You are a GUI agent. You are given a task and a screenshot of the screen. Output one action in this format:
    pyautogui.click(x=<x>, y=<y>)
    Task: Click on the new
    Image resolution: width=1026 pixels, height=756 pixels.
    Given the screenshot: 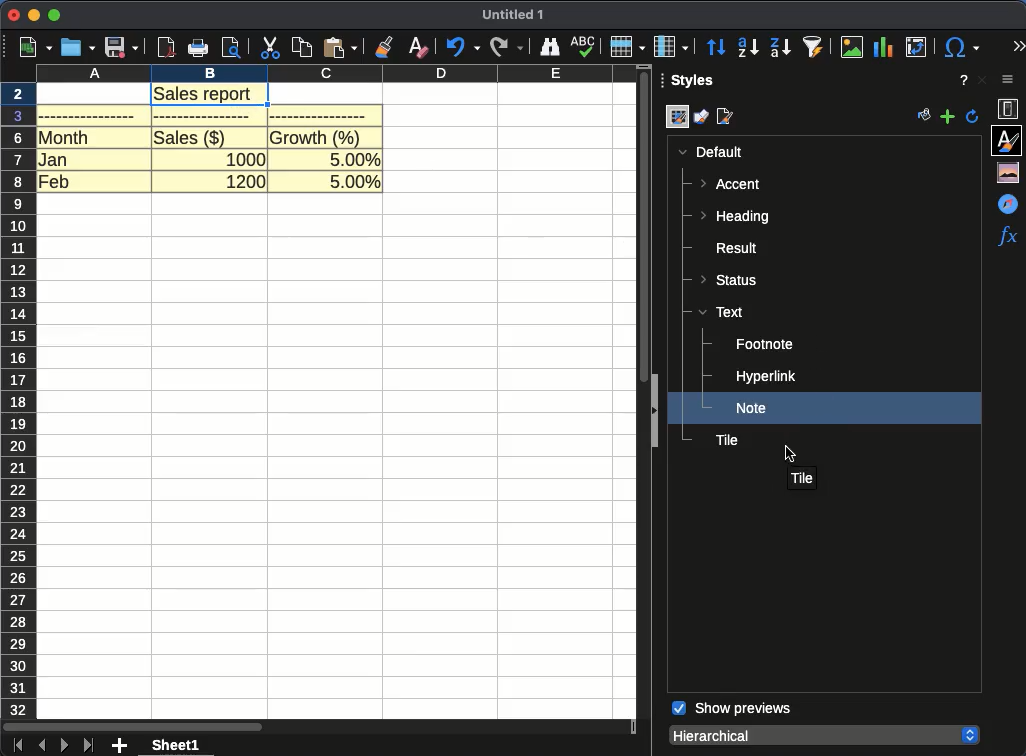 What is the action you would take?
    pyautogui.click(x=31, y=48)
    